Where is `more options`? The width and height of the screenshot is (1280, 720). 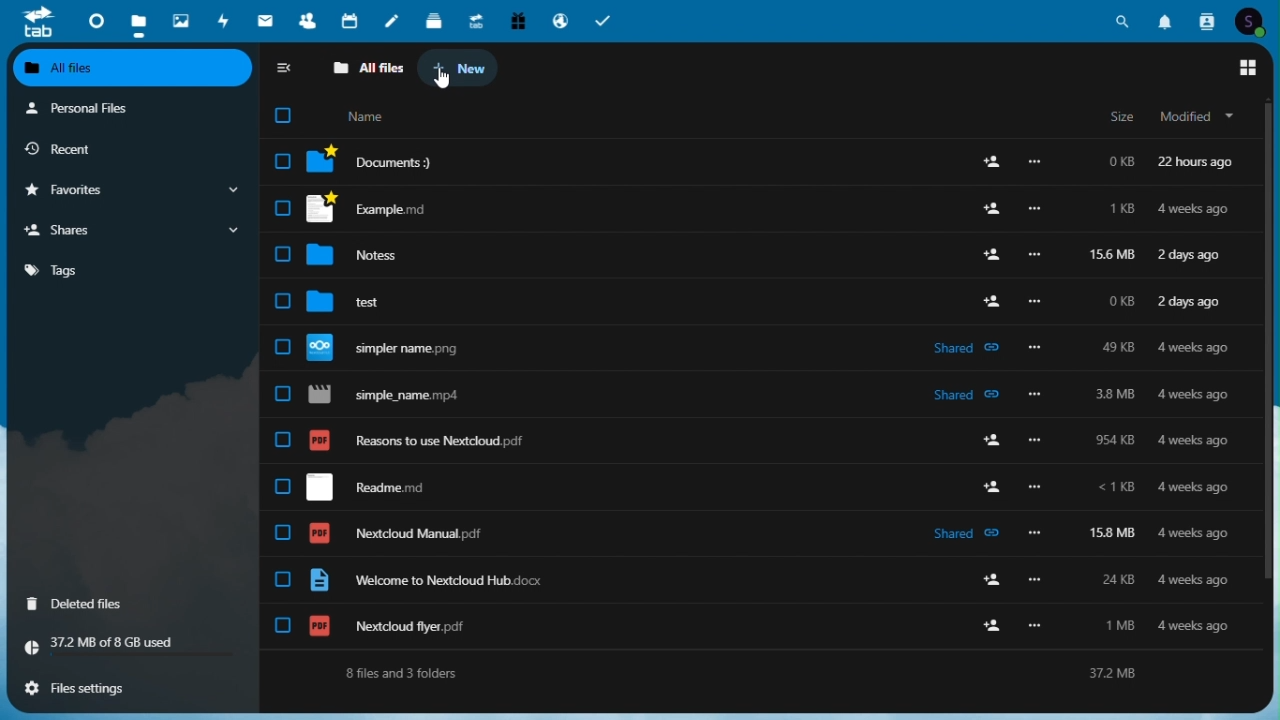 more options is located at coordinates (1036, 487).